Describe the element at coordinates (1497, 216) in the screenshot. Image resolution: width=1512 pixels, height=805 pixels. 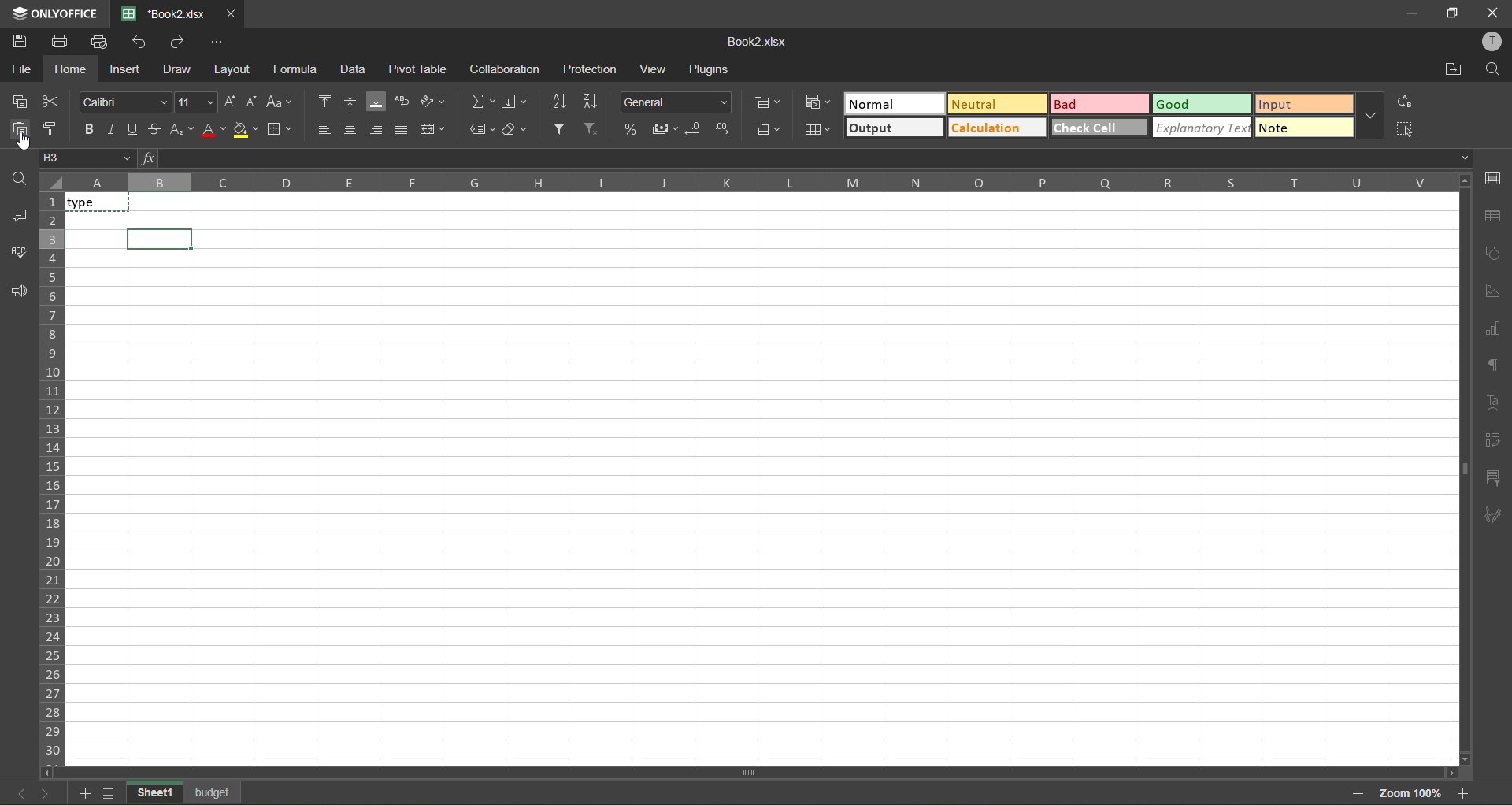
I see `table` at that location.